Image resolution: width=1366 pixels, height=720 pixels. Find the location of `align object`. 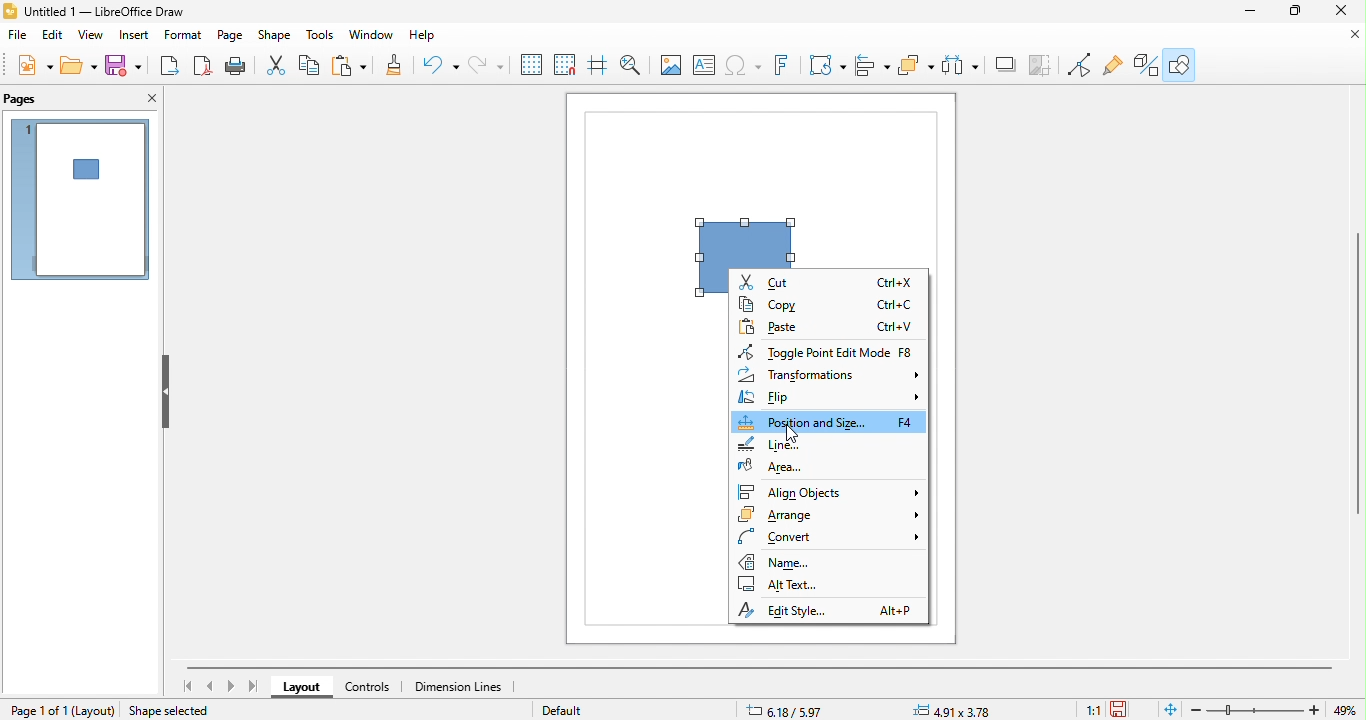

align object is located at coordinates (872, 65).